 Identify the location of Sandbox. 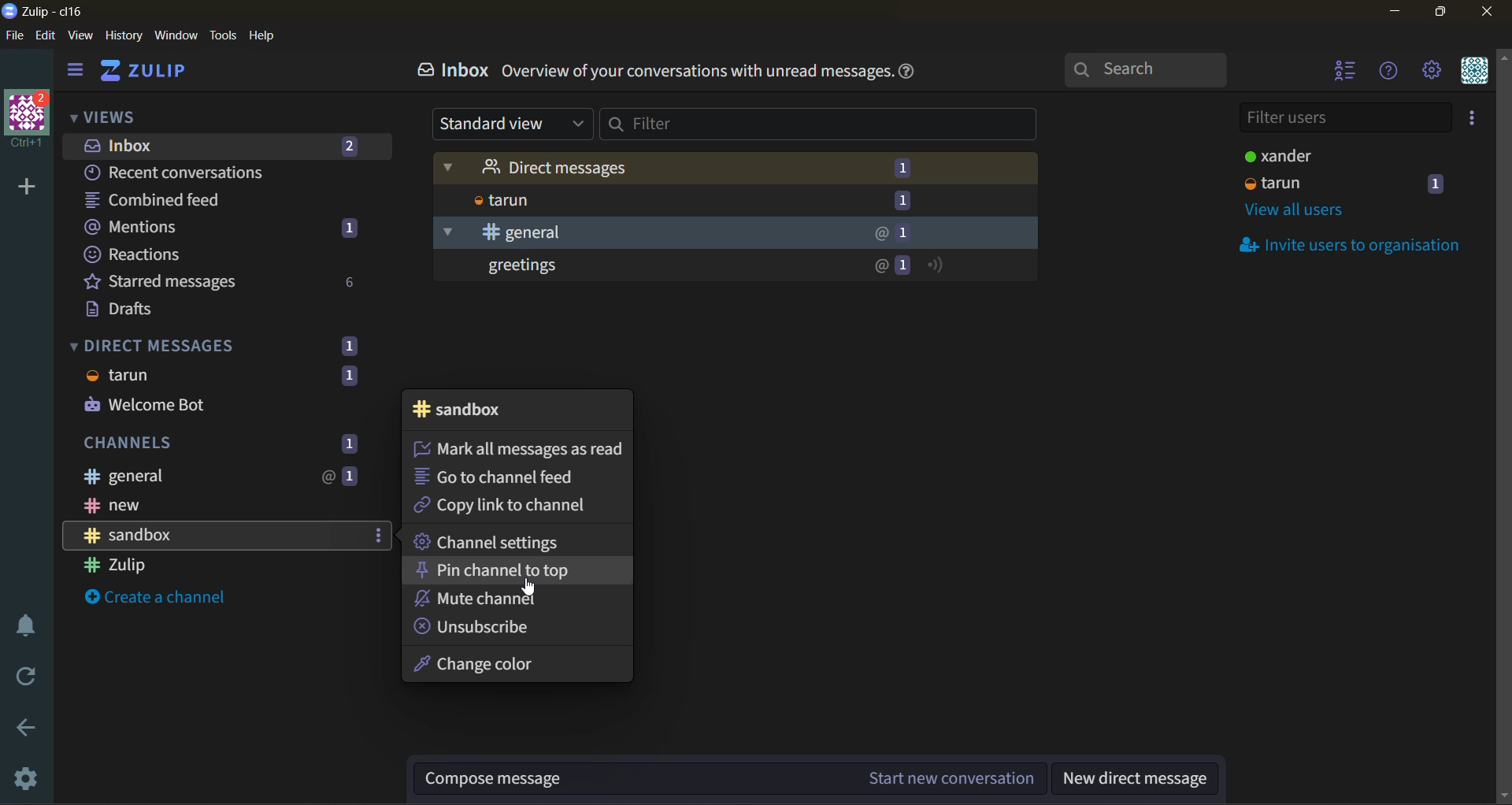
(213, 536).